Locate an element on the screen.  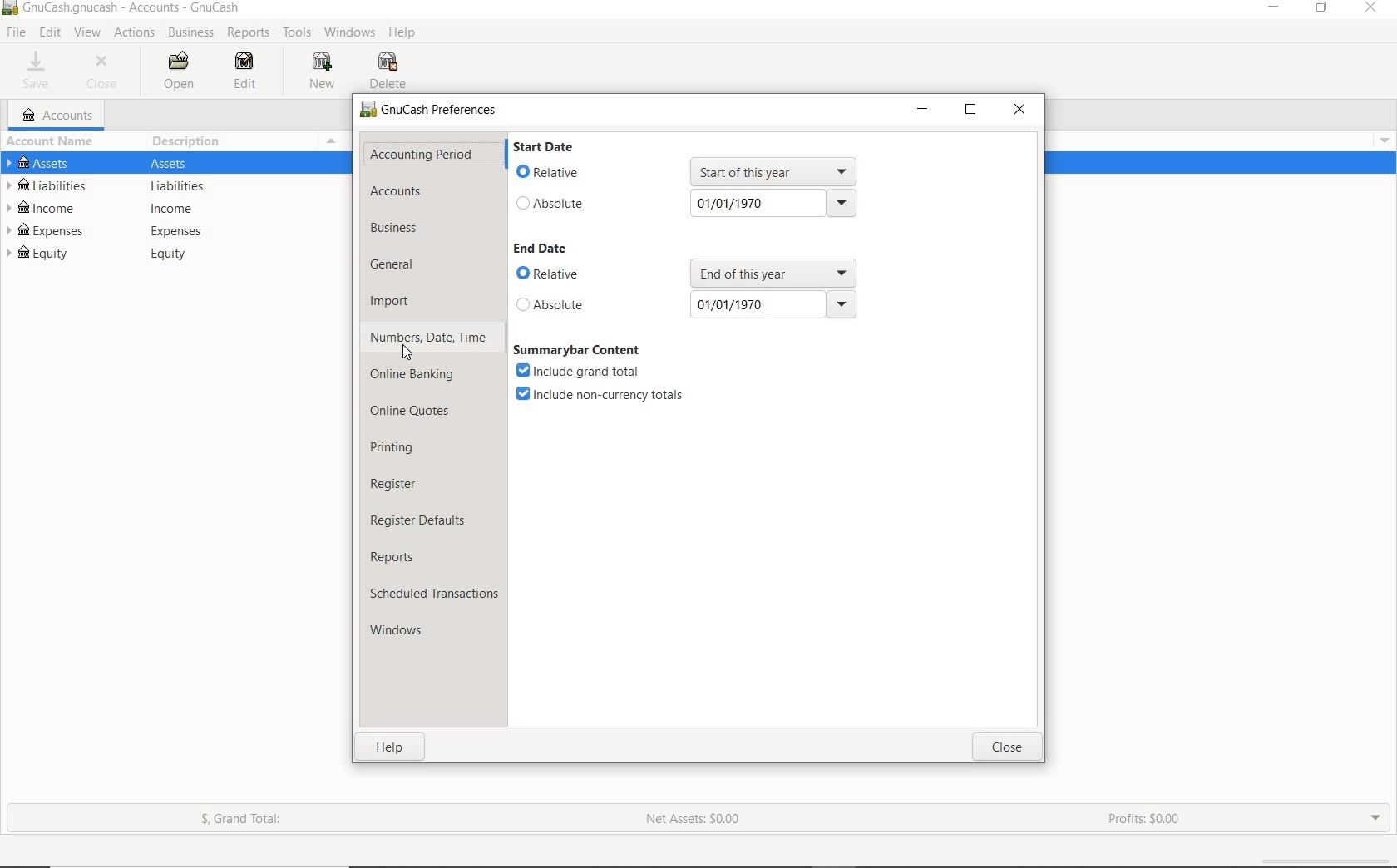
reports is located at coordinates (411, 557).